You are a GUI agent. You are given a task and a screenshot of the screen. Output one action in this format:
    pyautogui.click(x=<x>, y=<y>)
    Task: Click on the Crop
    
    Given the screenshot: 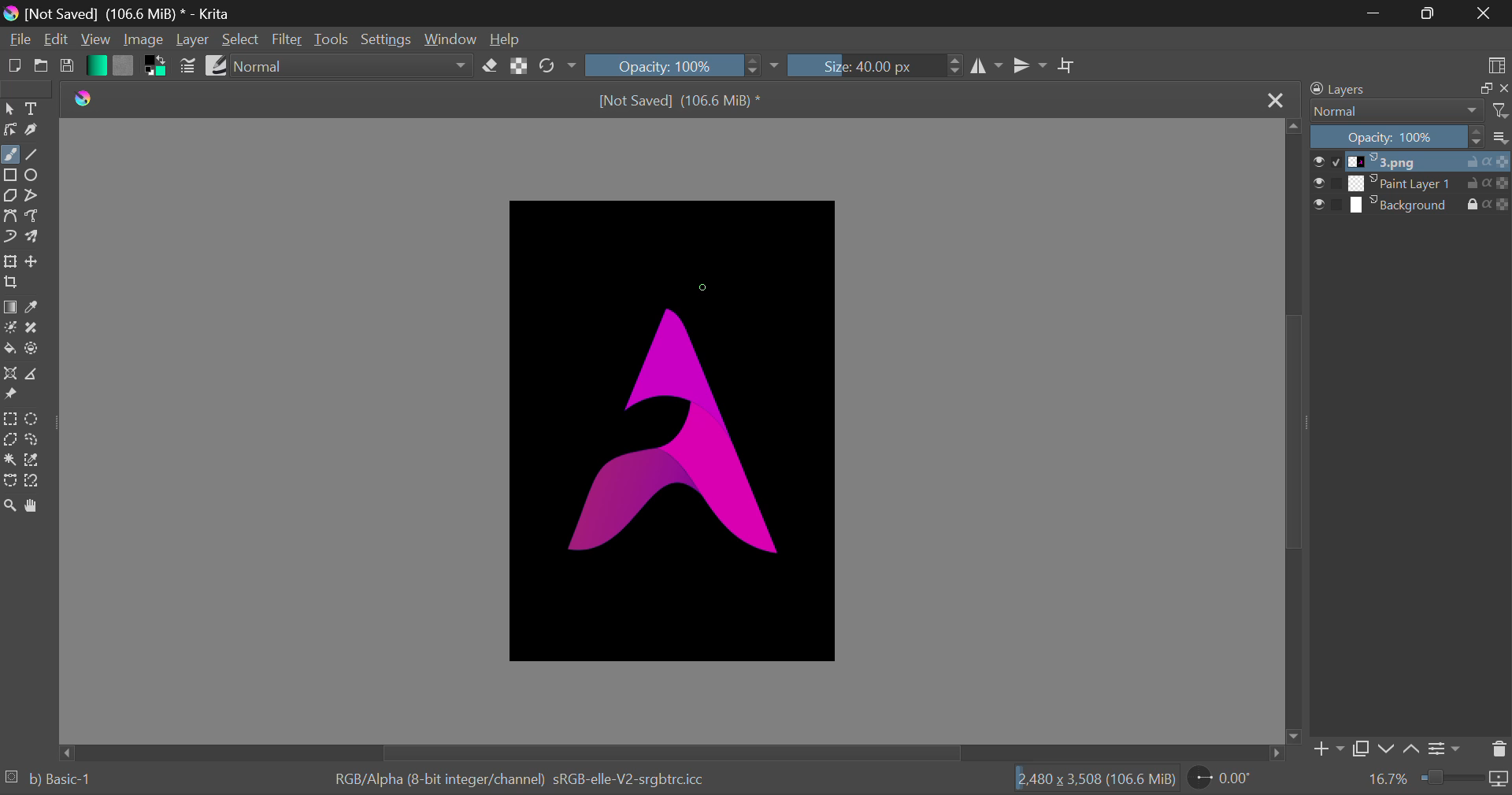 What is the action you would take?
    pyautogui.click(x=13, y=283)
    